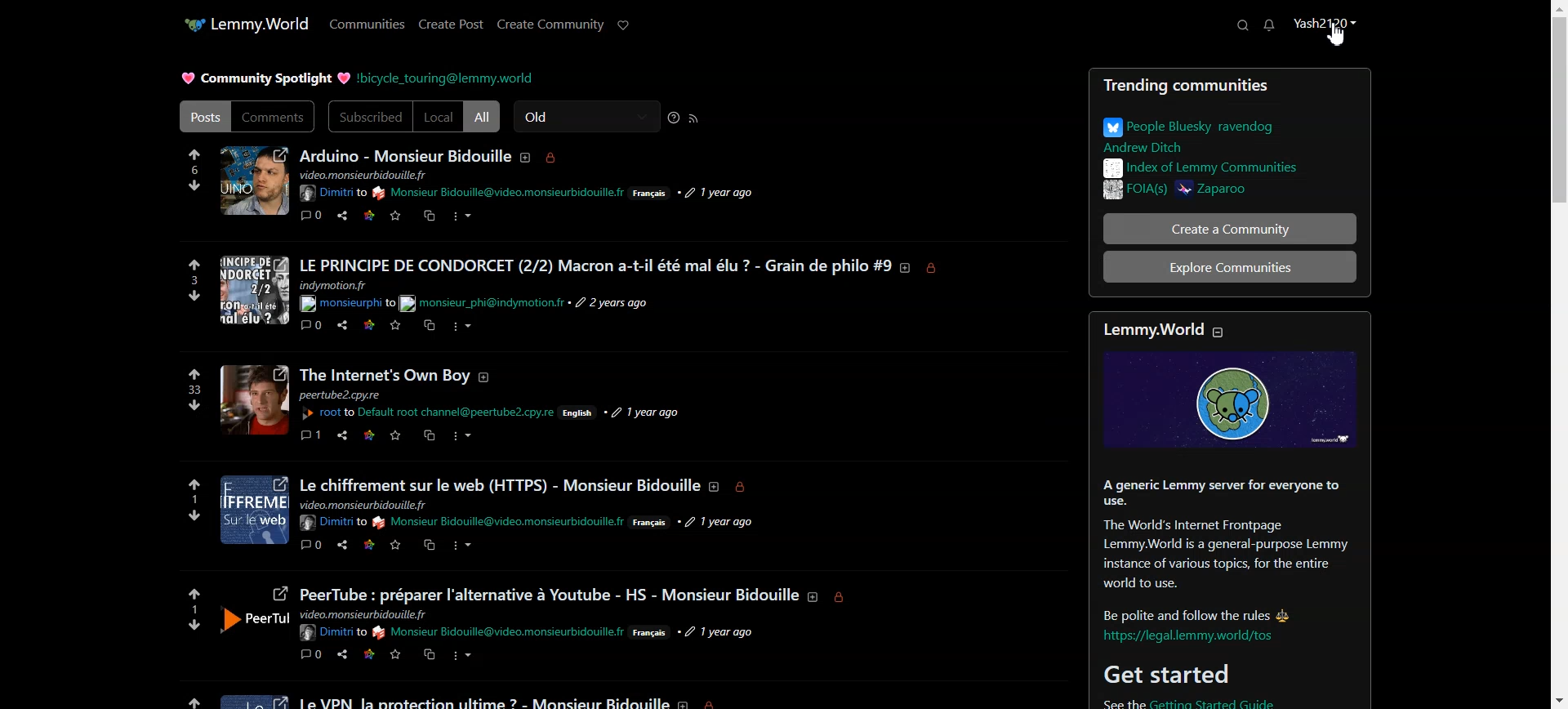 The image size is (1568, 709). Describe the element at coordinates (581, 414) in the screenshot. I see `English` at that location.